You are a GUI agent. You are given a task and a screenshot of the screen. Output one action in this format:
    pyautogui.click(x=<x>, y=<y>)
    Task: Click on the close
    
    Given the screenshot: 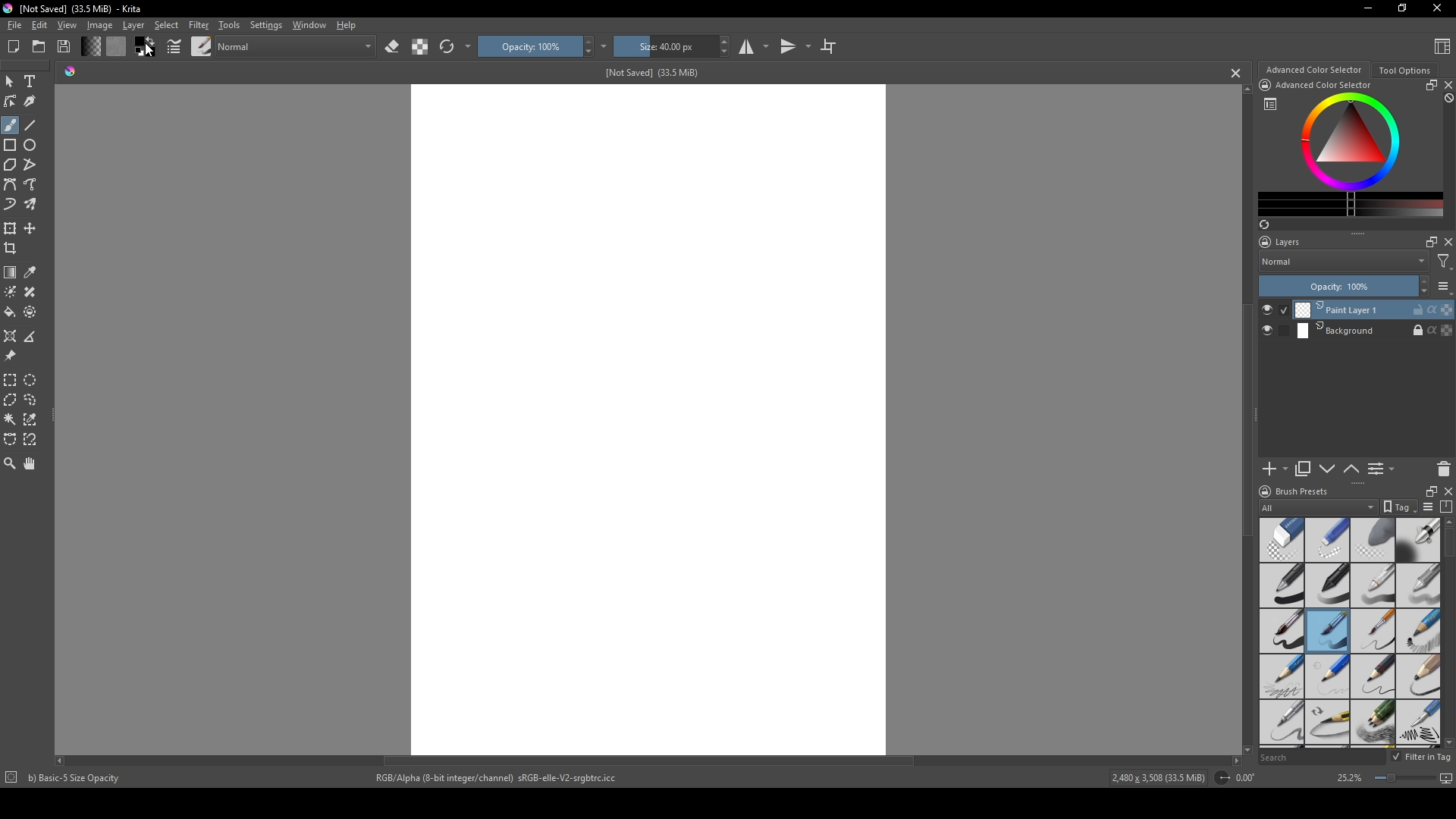 What is the action you would take?
    pyautogui.click(x=1447, y=242)
    